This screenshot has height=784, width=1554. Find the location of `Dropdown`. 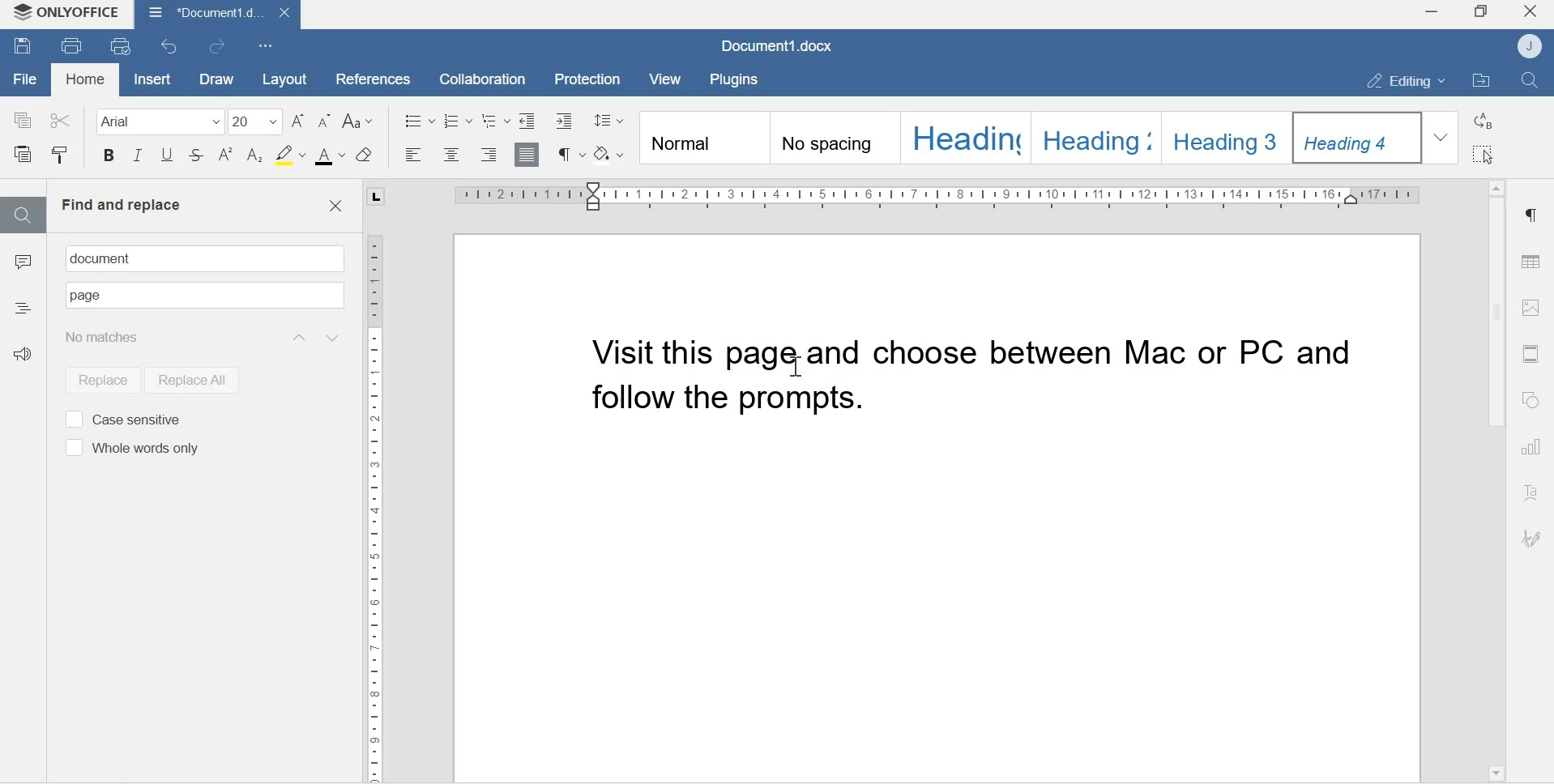

Dropdown is located at coordinates (1443, 137).